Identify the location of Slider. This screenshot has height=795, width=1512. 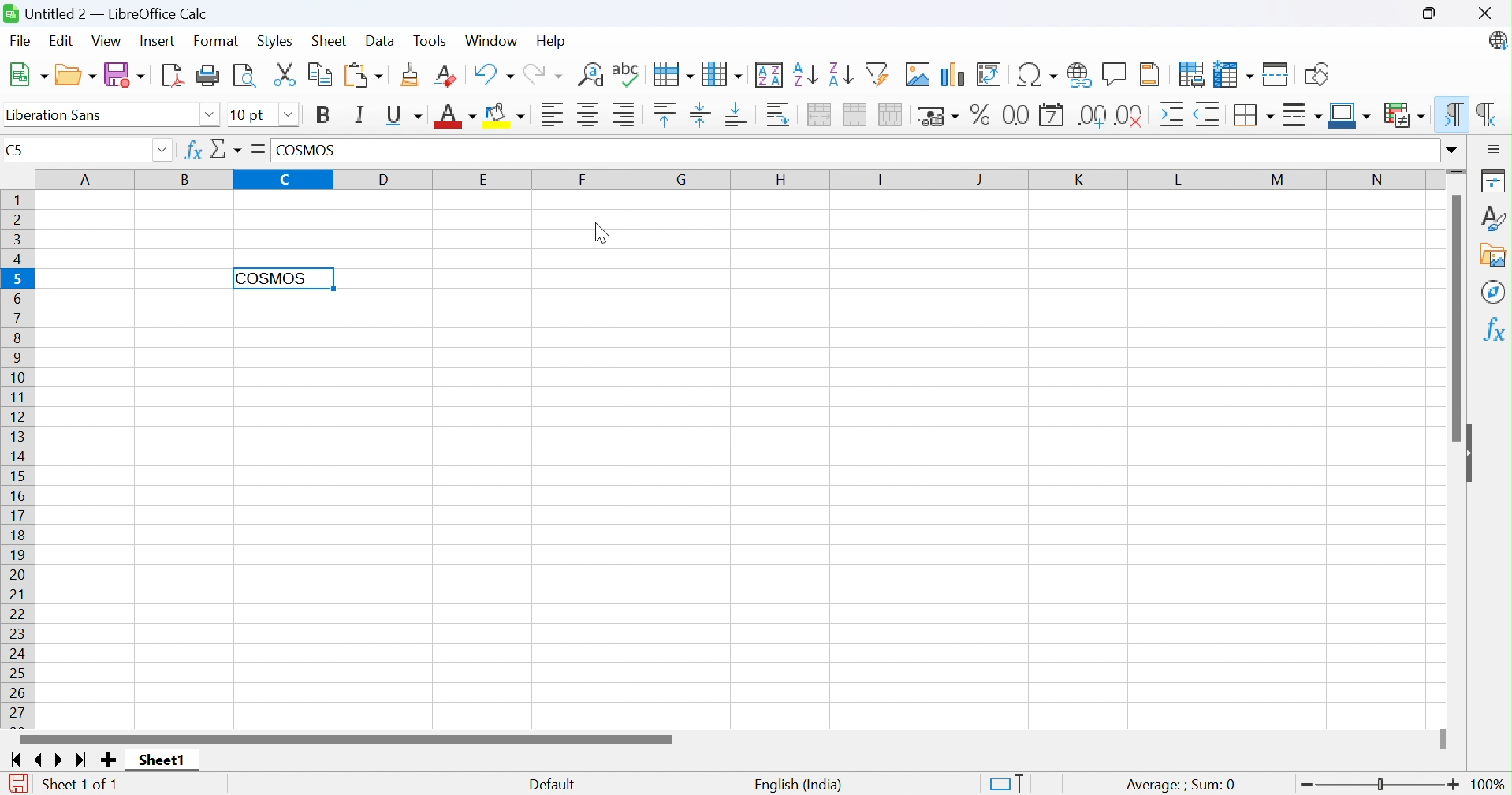
(1443, 740).